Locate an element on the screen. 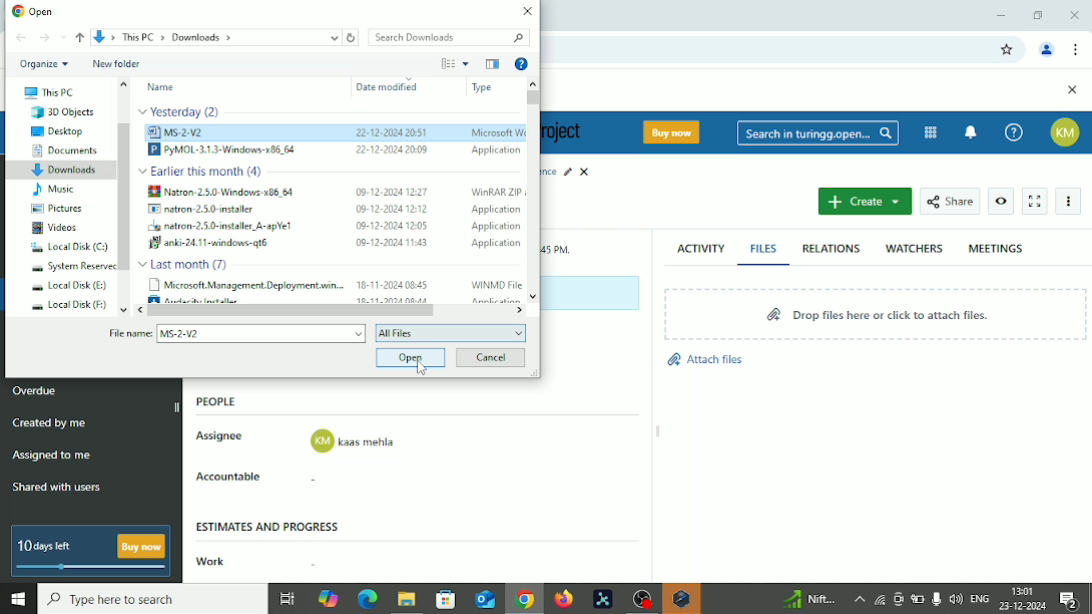 This screenshot has height=614, width=1092. Local Disk(E:) is located at coordinates (69, 286).